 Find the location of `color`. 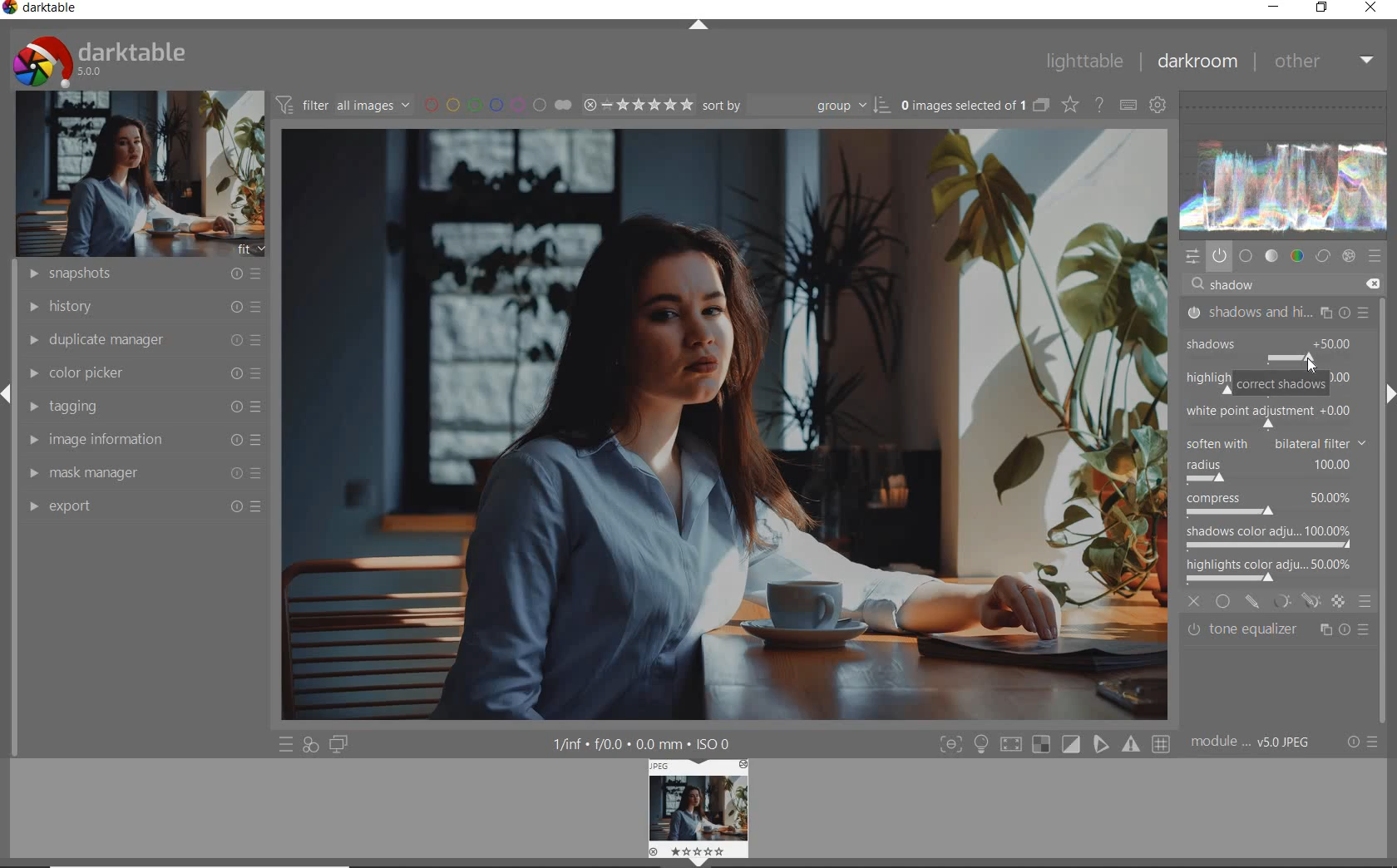

color is located at coordinates (1296, 256).